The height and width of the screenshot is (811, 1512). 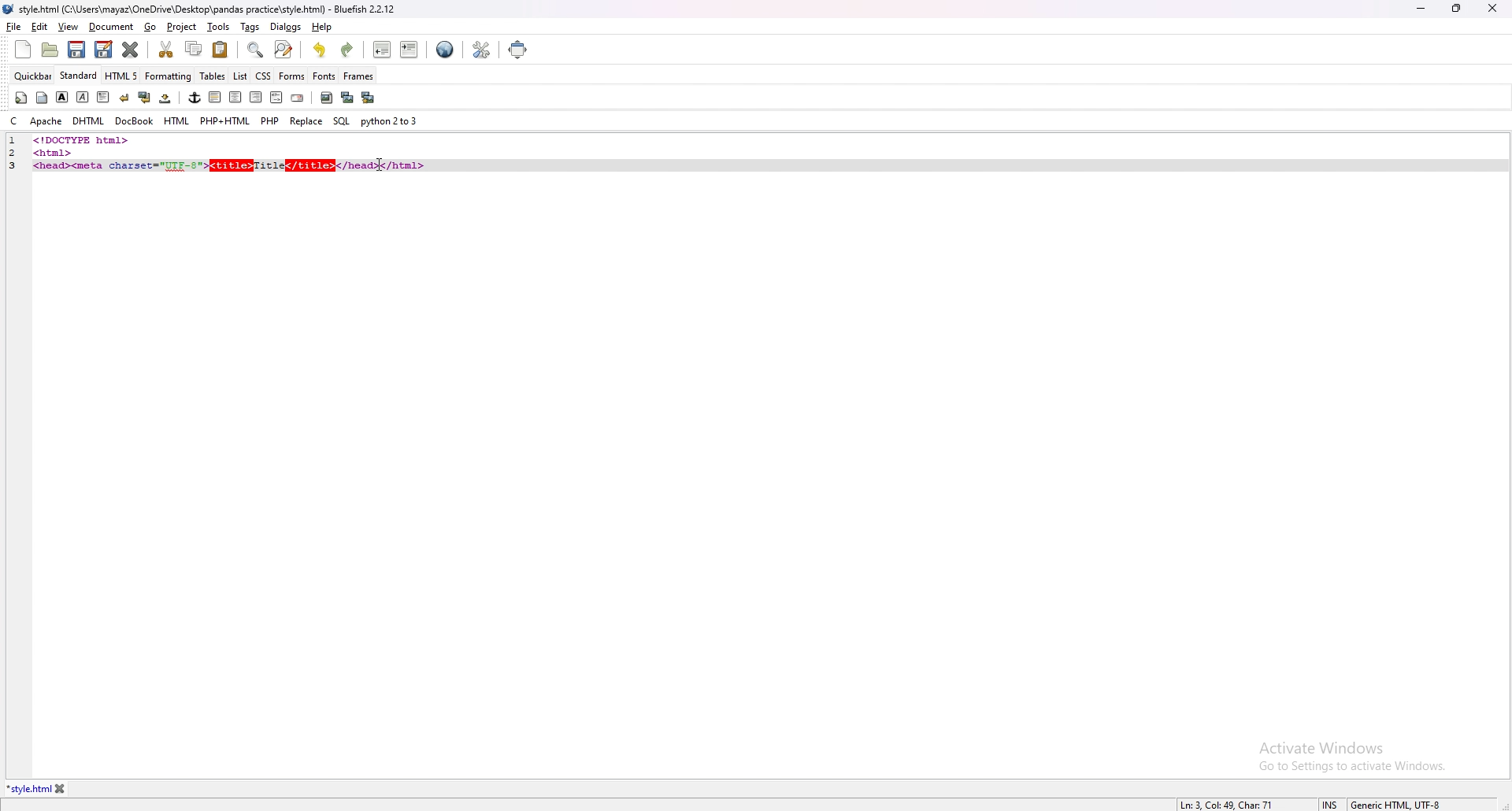 I want to click on file name, so click(x=202, y=10).